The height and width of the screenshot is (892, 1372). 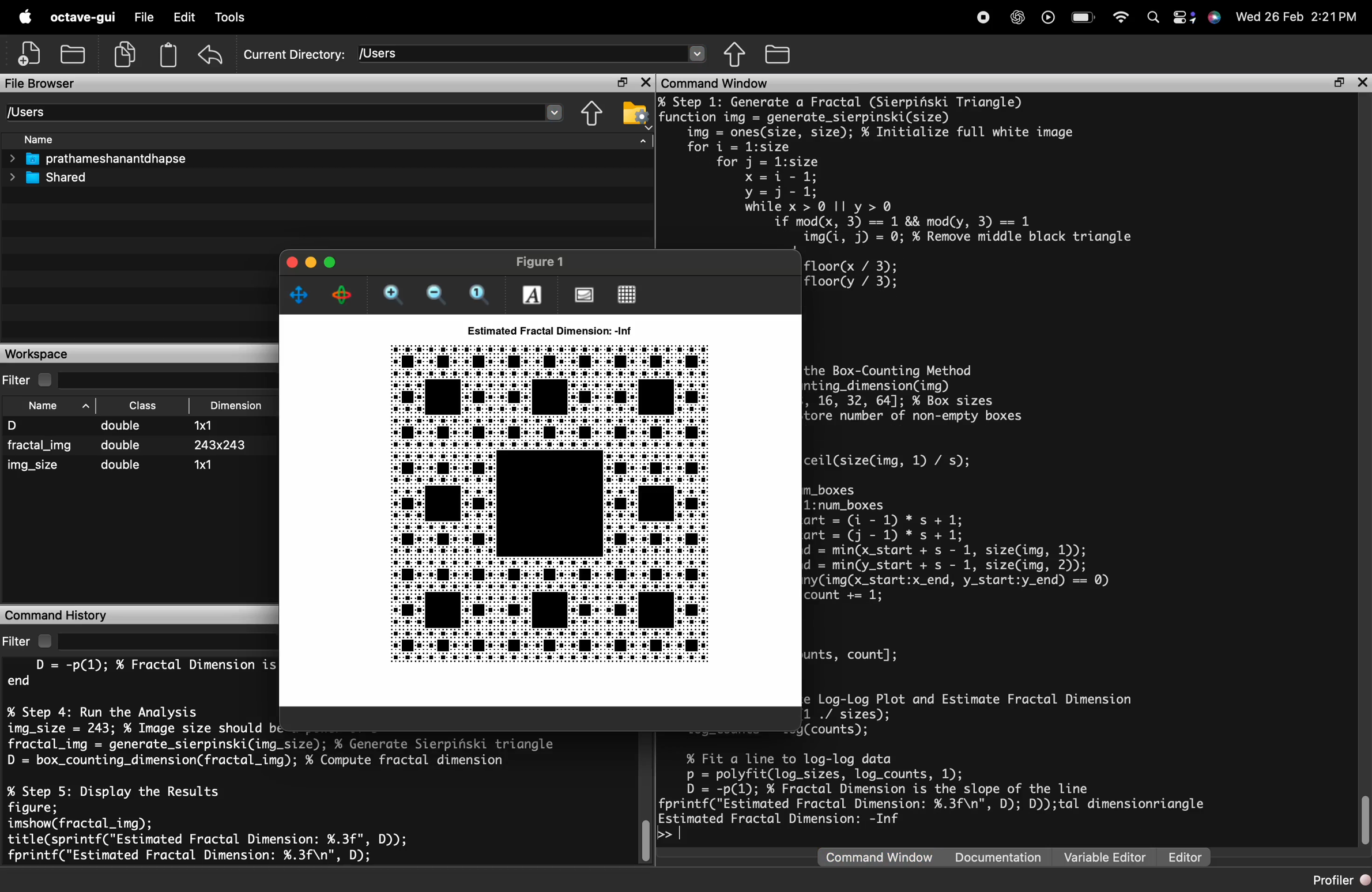 What do you see at coordinates (1049, 14) in the screenshot?
I see `play` at bounding box center [1049, 14].